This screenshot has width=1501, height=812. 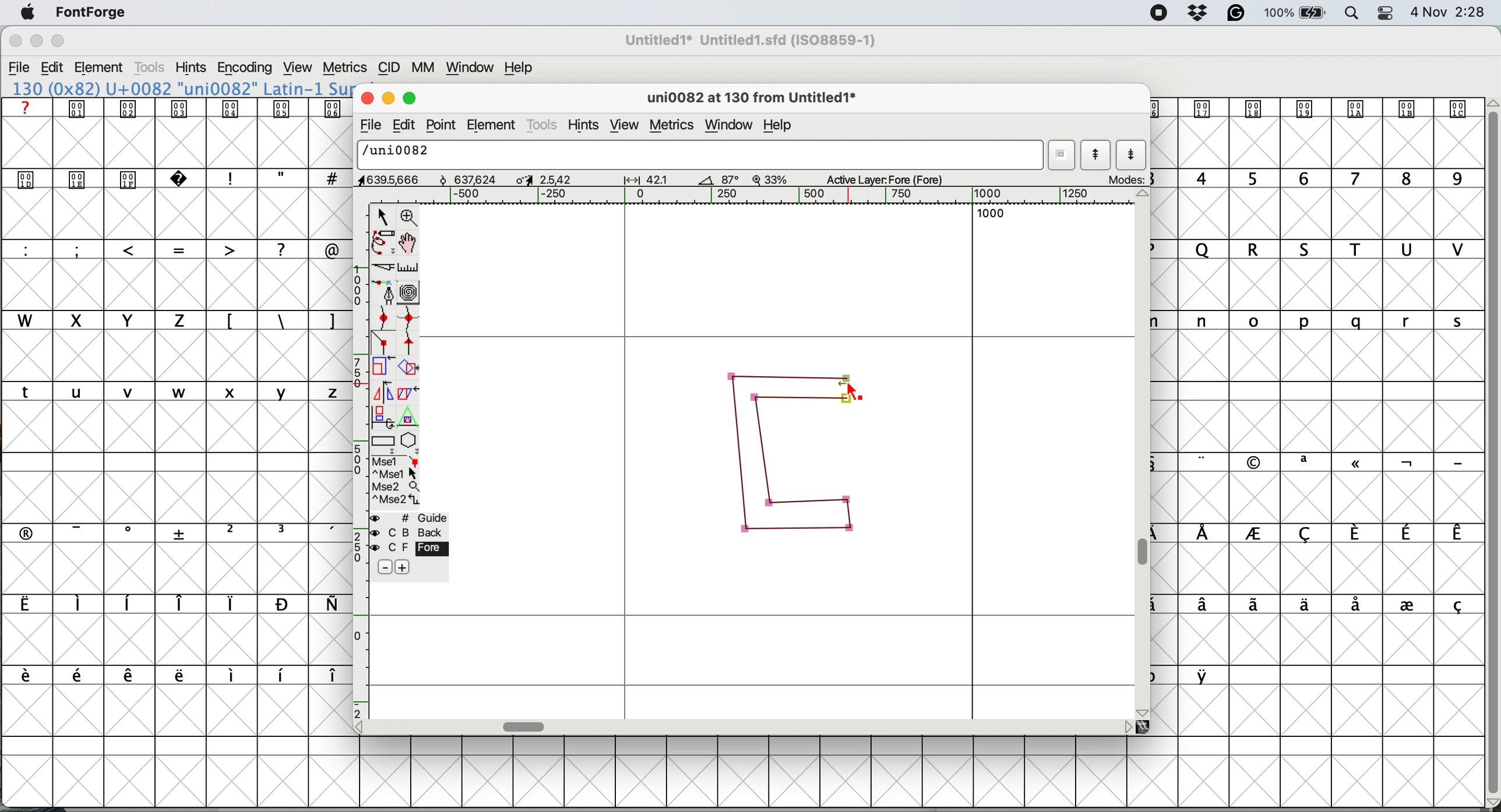 I want to click on symbol, so click(x=1206, y=675).